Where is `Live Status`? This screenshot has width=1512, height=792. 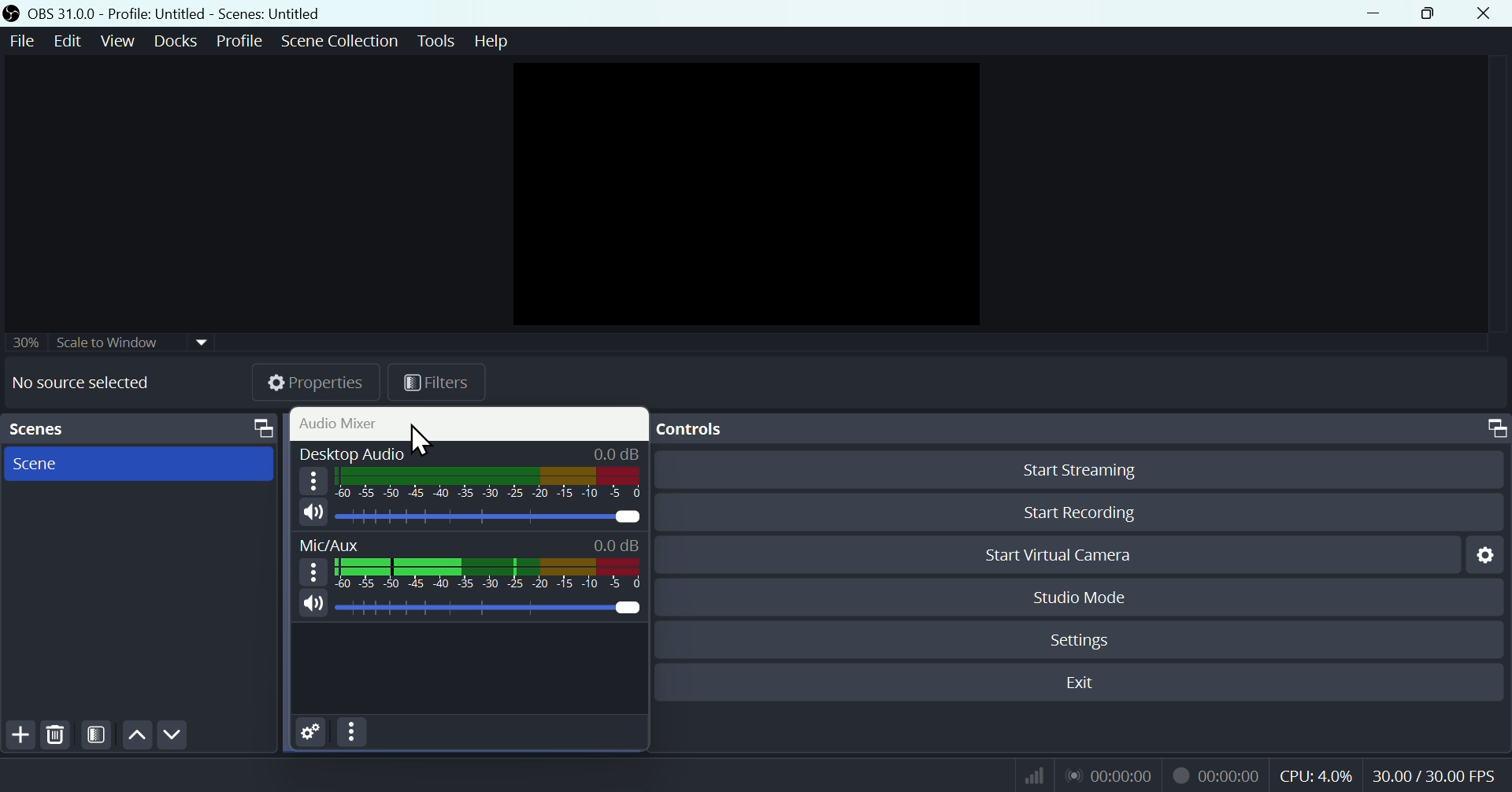
Live Status is located at coordinates (1111, 775).